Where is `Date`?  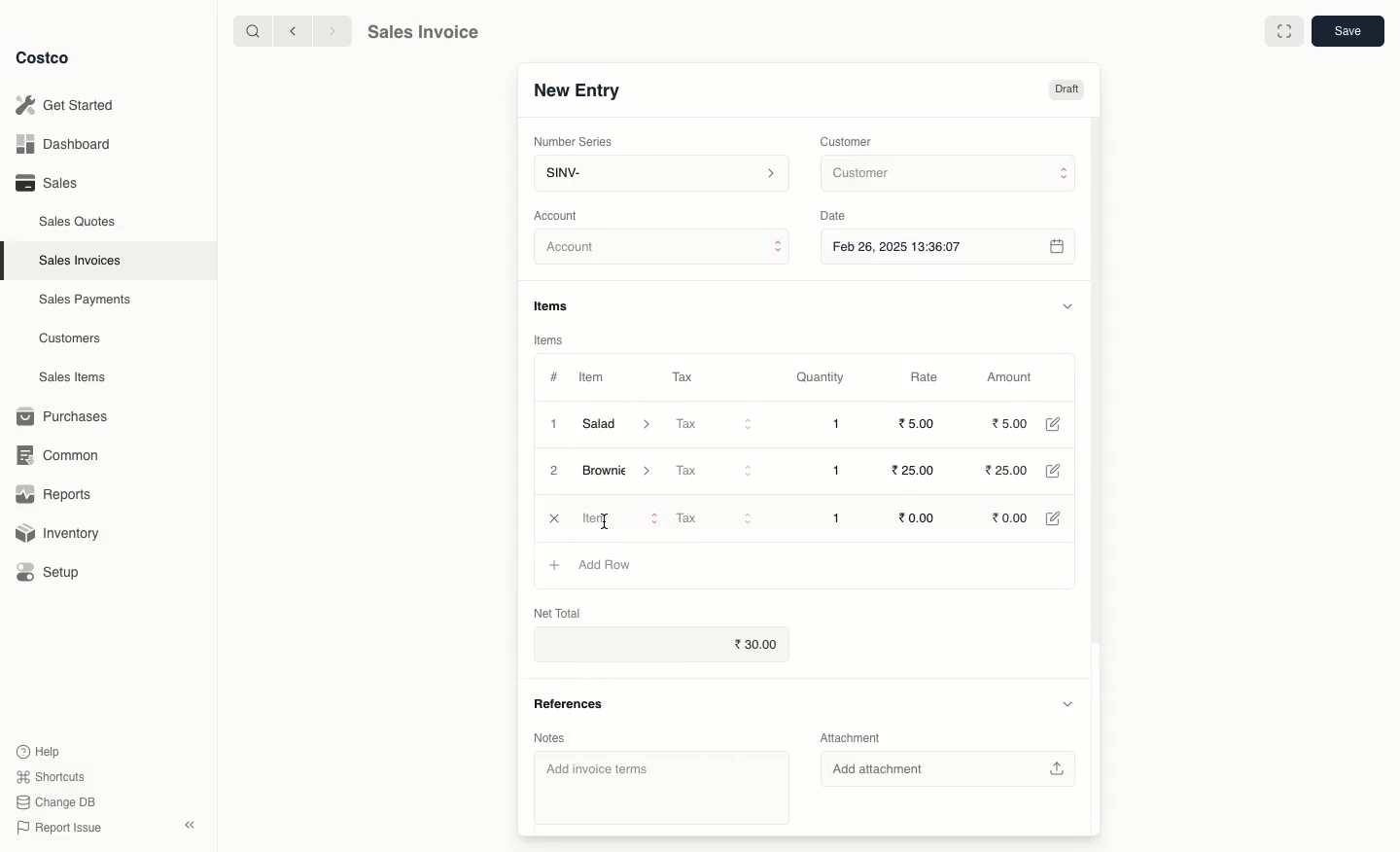 Date is located at coordinates (838, 216).